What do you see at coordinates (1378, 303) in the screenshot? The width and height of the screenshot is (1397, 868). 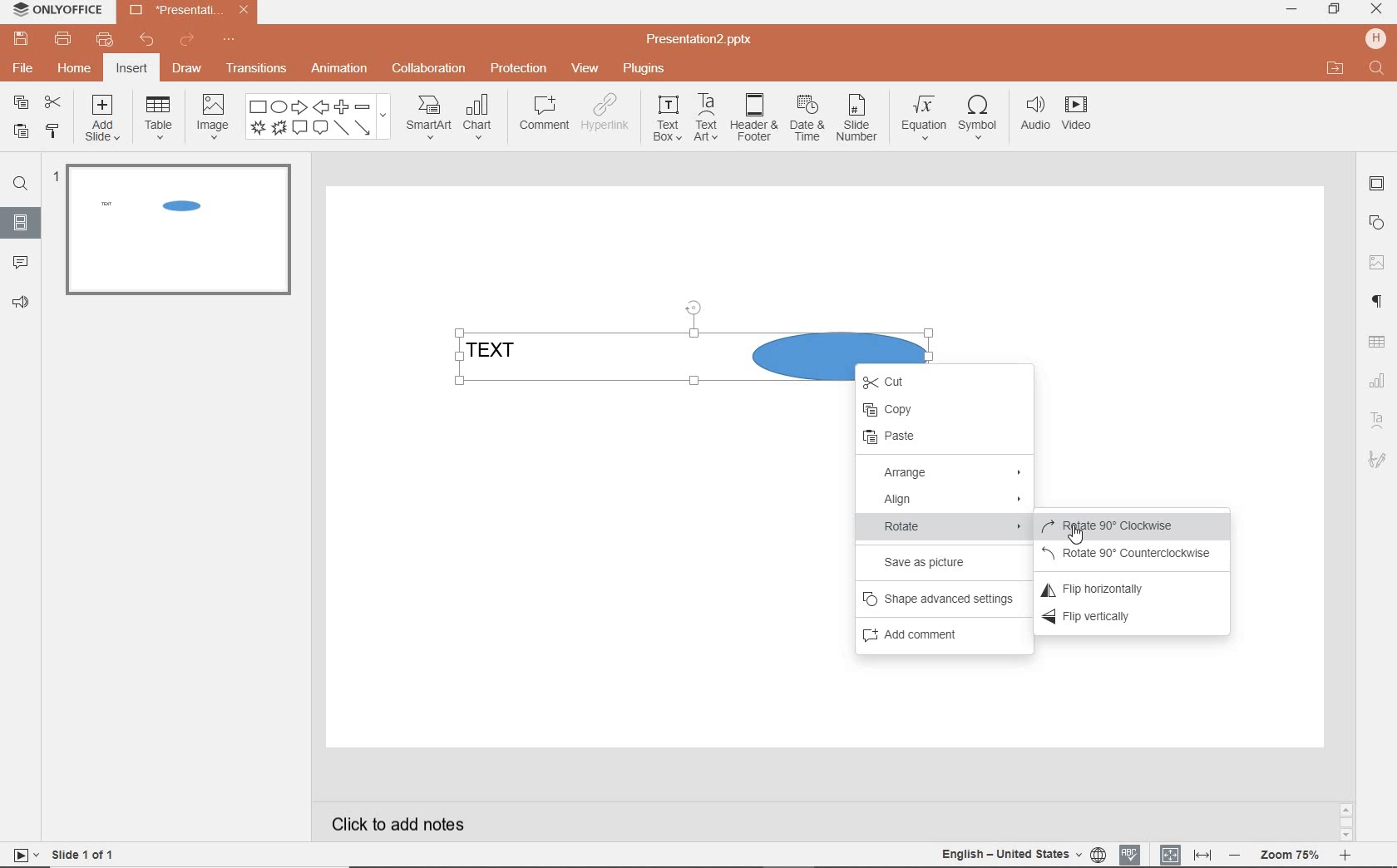 I see `PARAGRAPH SETTINGS` at bounding box center [1378, 303].